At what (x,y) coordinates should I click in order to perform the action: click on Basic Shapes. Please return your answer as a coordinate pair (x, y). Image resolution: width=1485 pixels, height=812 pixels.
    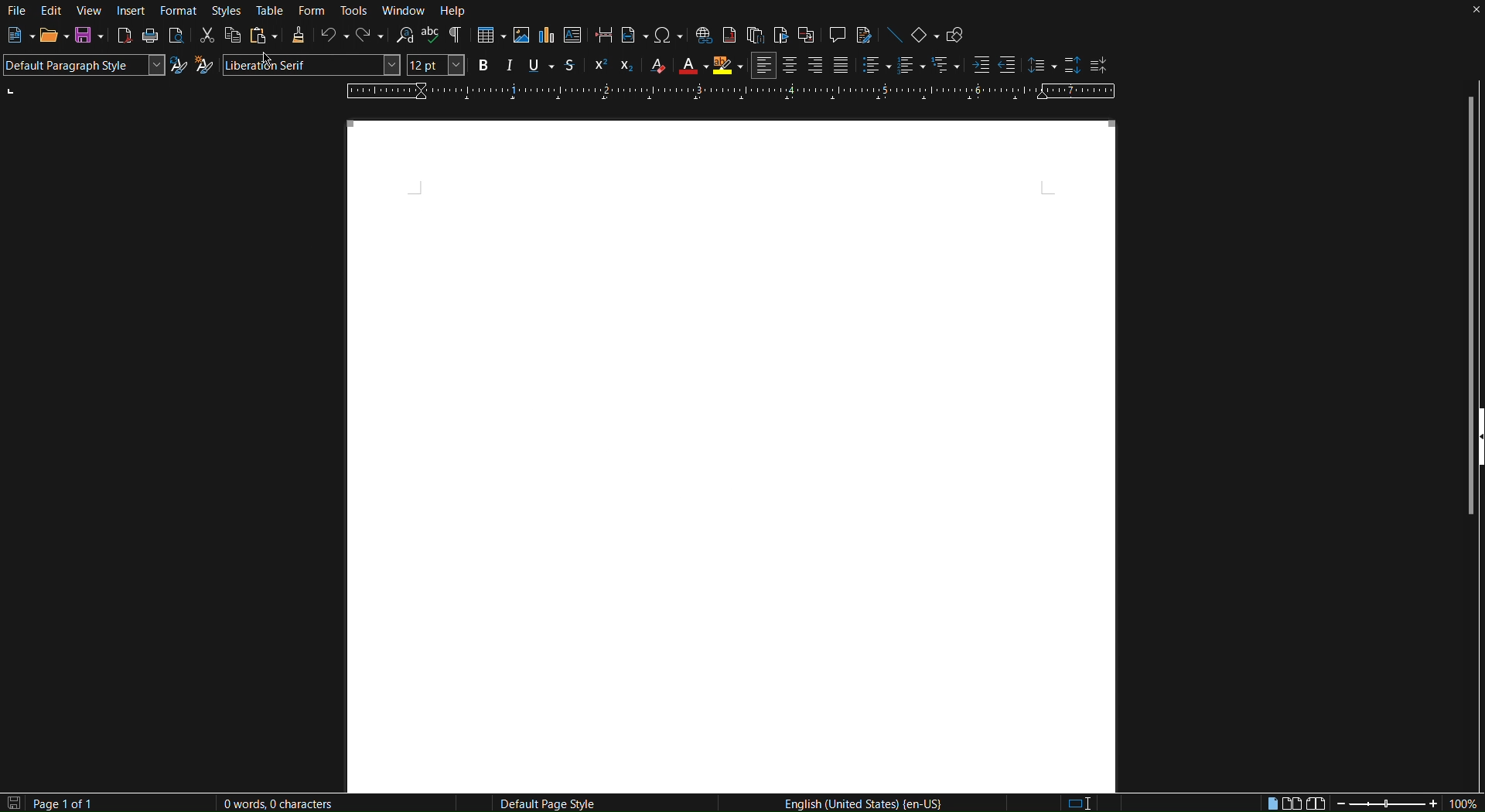
    Looking at the image, I should click on (926, 38).